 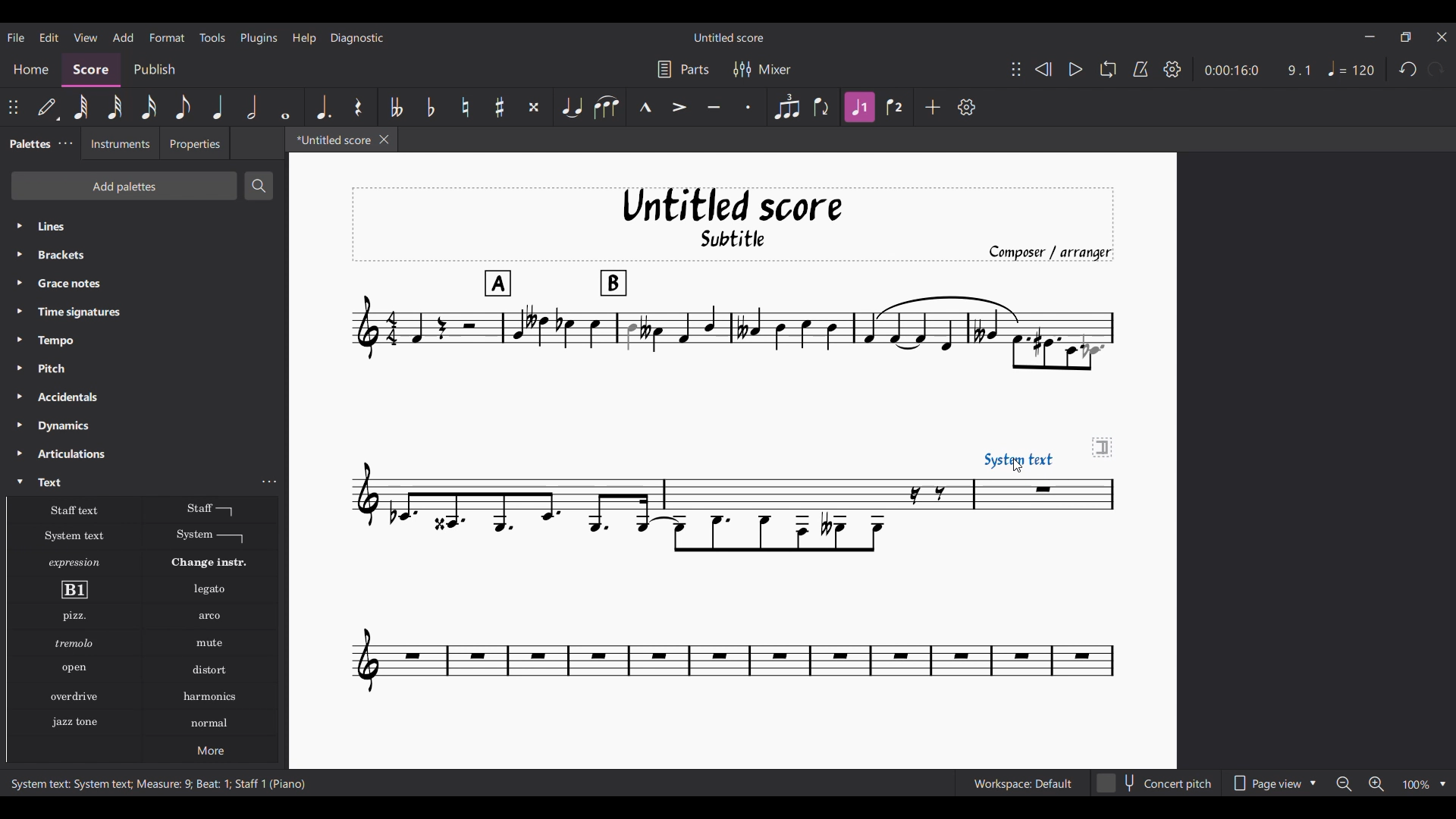 What do you see at coordinates (1405, 37) in the screenshot?
I see `Show in smaller tab` at bounding box center [1405, 37].